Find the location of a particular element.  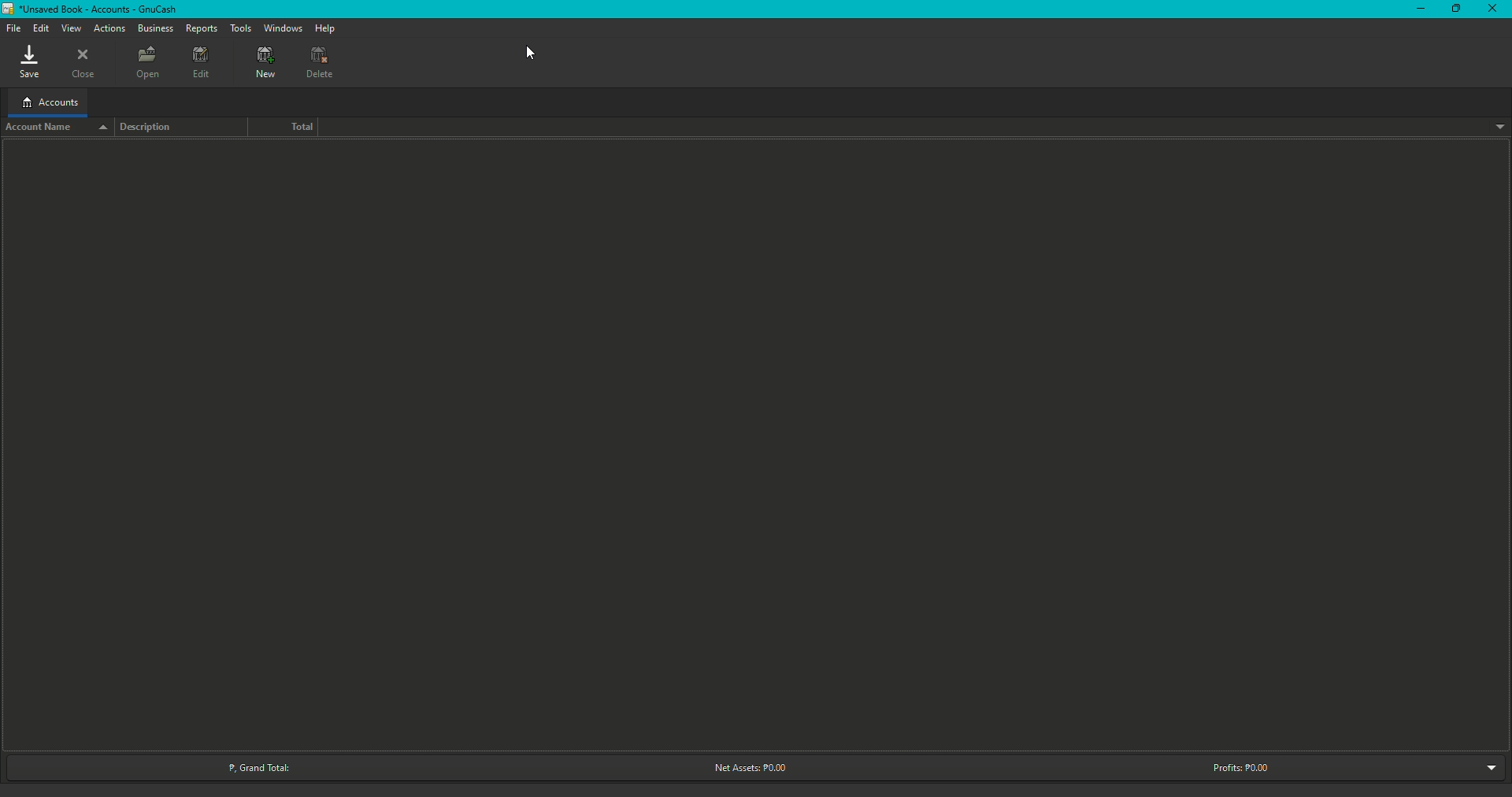

Deposits is located at coordinates (201, 28).